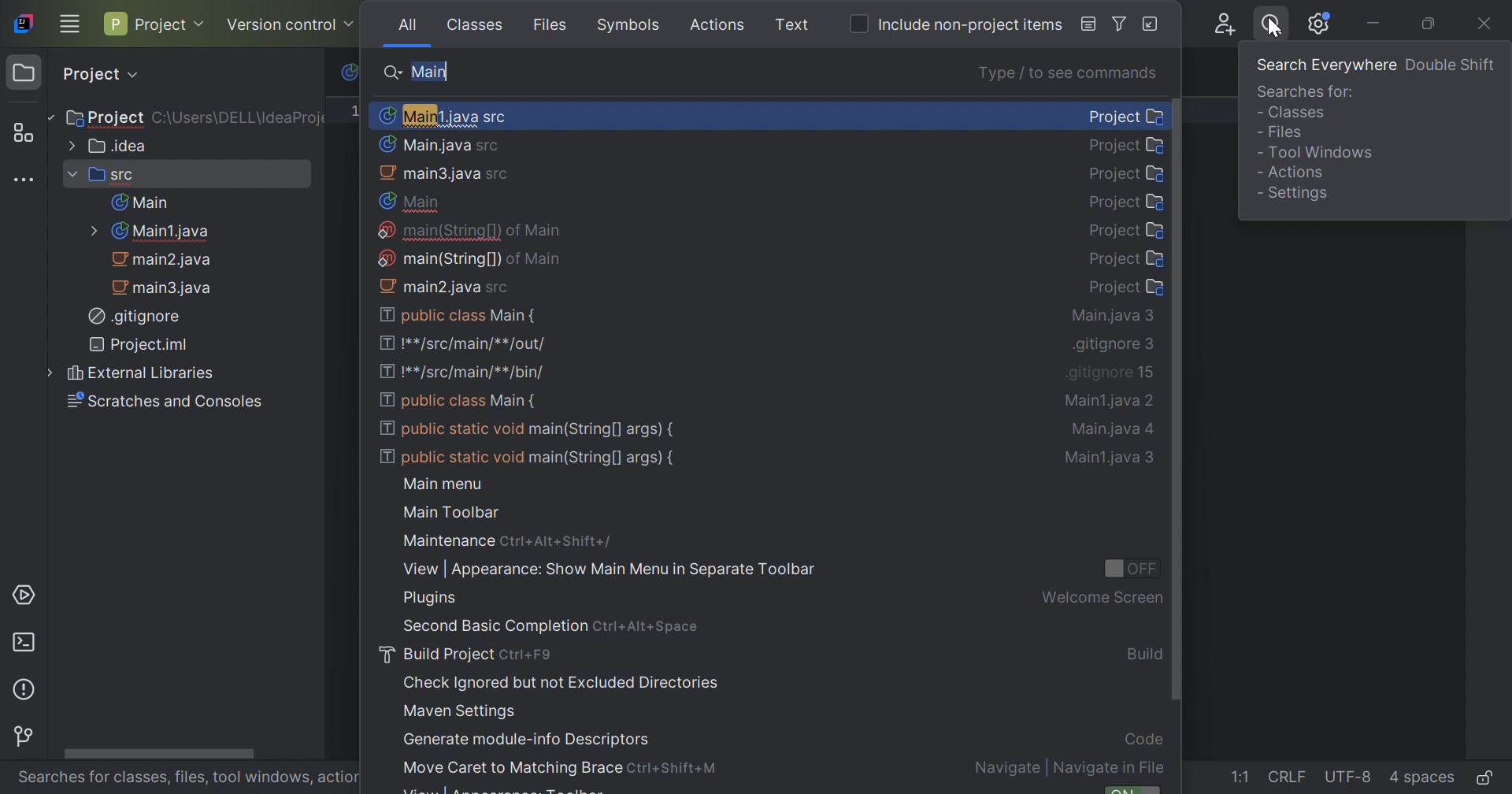 The image size is (1512, 794). I want to click on Code with me, so click(1226, 24).